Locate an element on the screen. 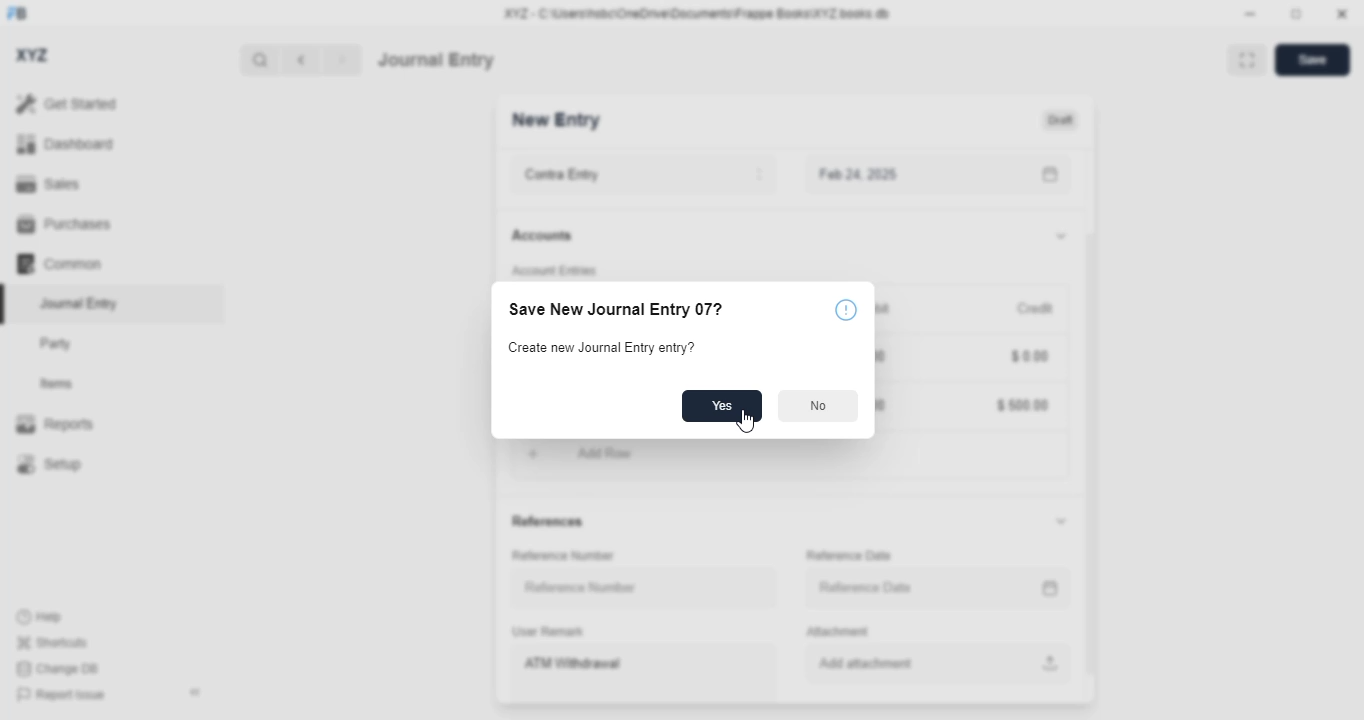 This screenshot has height=720, width=1364. journal entry is located at coordinates (80, 303).